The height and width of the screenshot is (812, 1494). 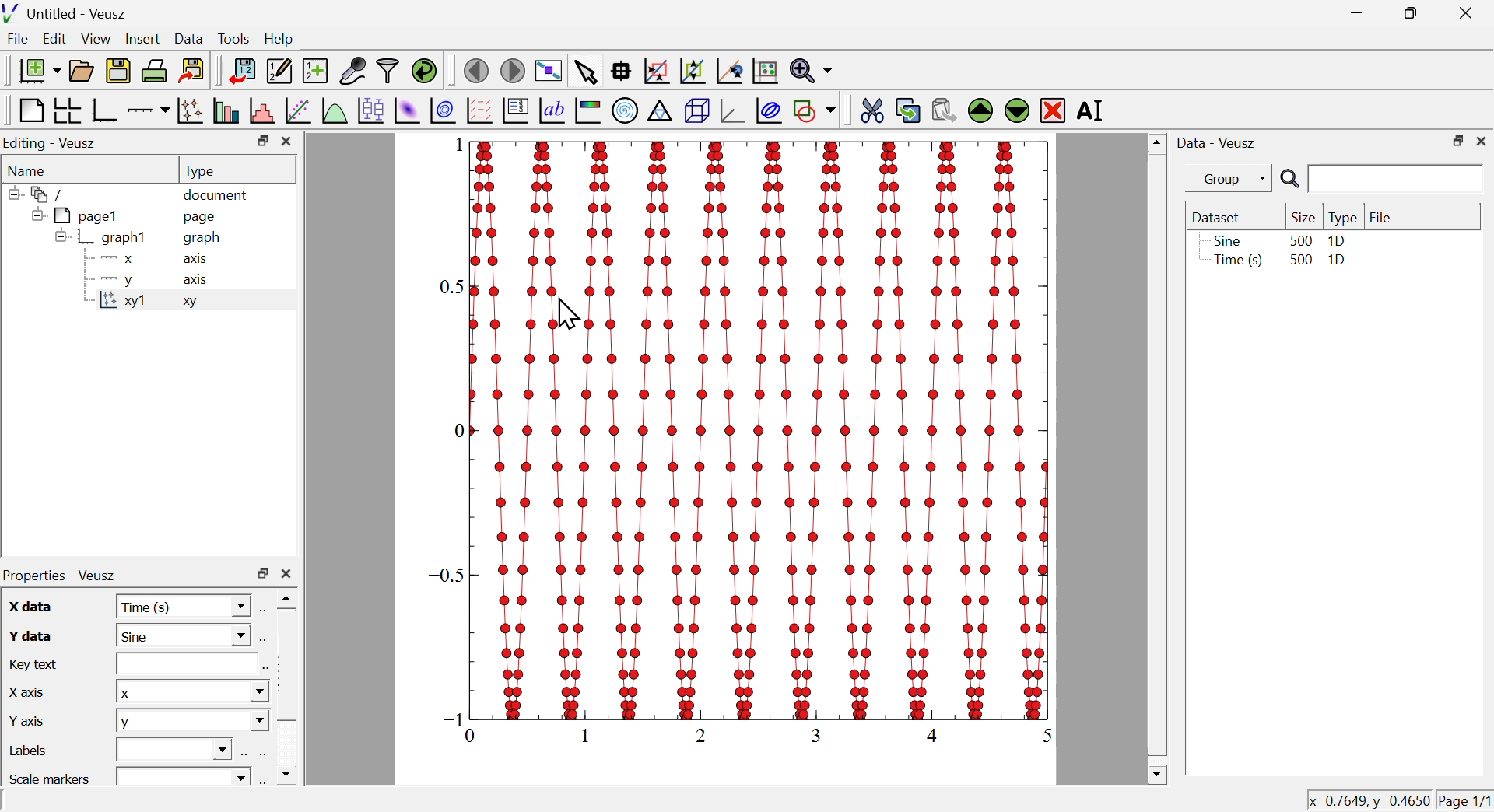 What do you see at coordinates (315, 69) in the screenshot?
I see `create new data sets using ranges` at bounding box center [315, 69].